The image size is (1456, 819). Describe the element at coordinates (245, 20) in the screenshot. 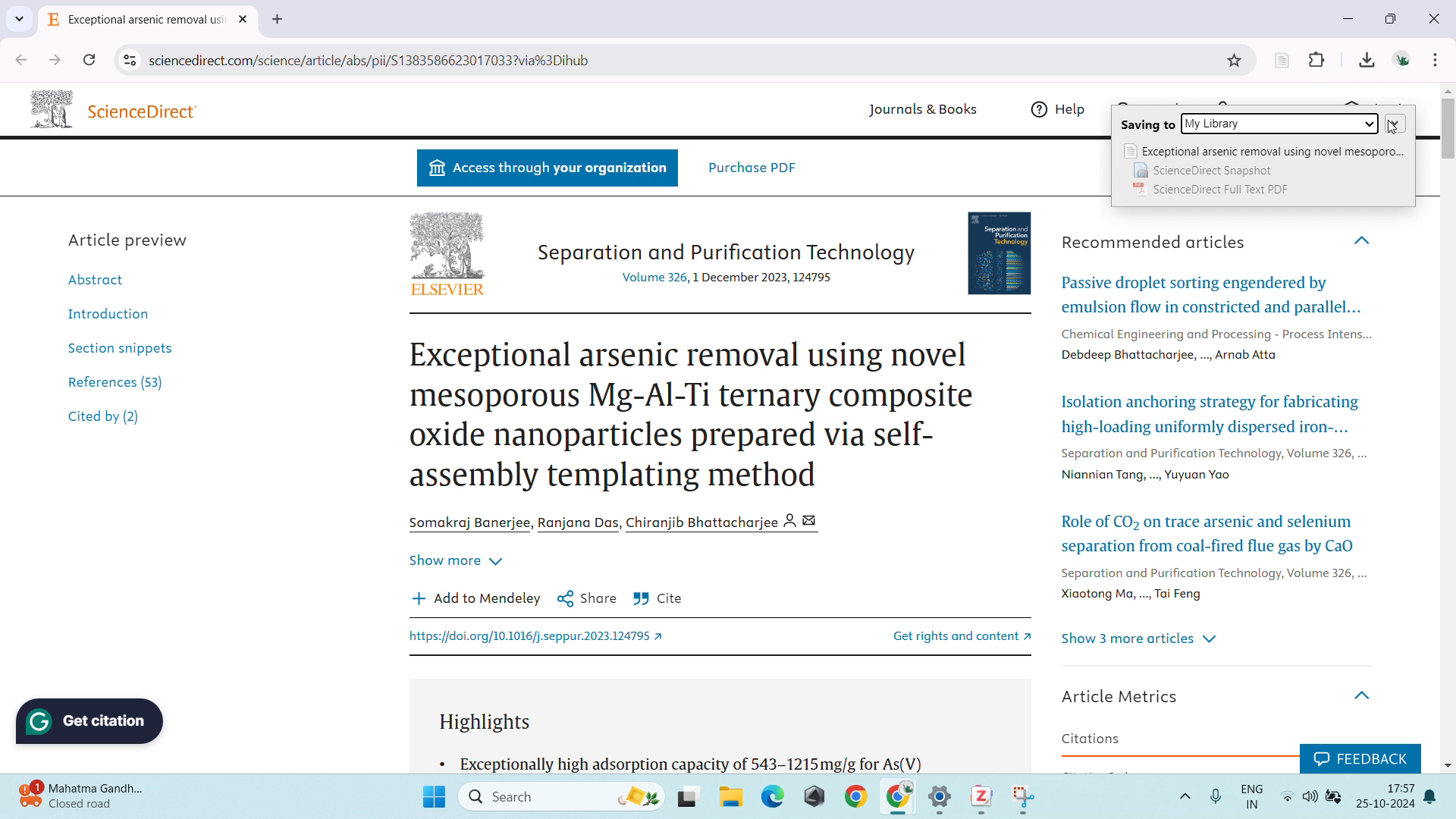

I see `close tab` at that location.